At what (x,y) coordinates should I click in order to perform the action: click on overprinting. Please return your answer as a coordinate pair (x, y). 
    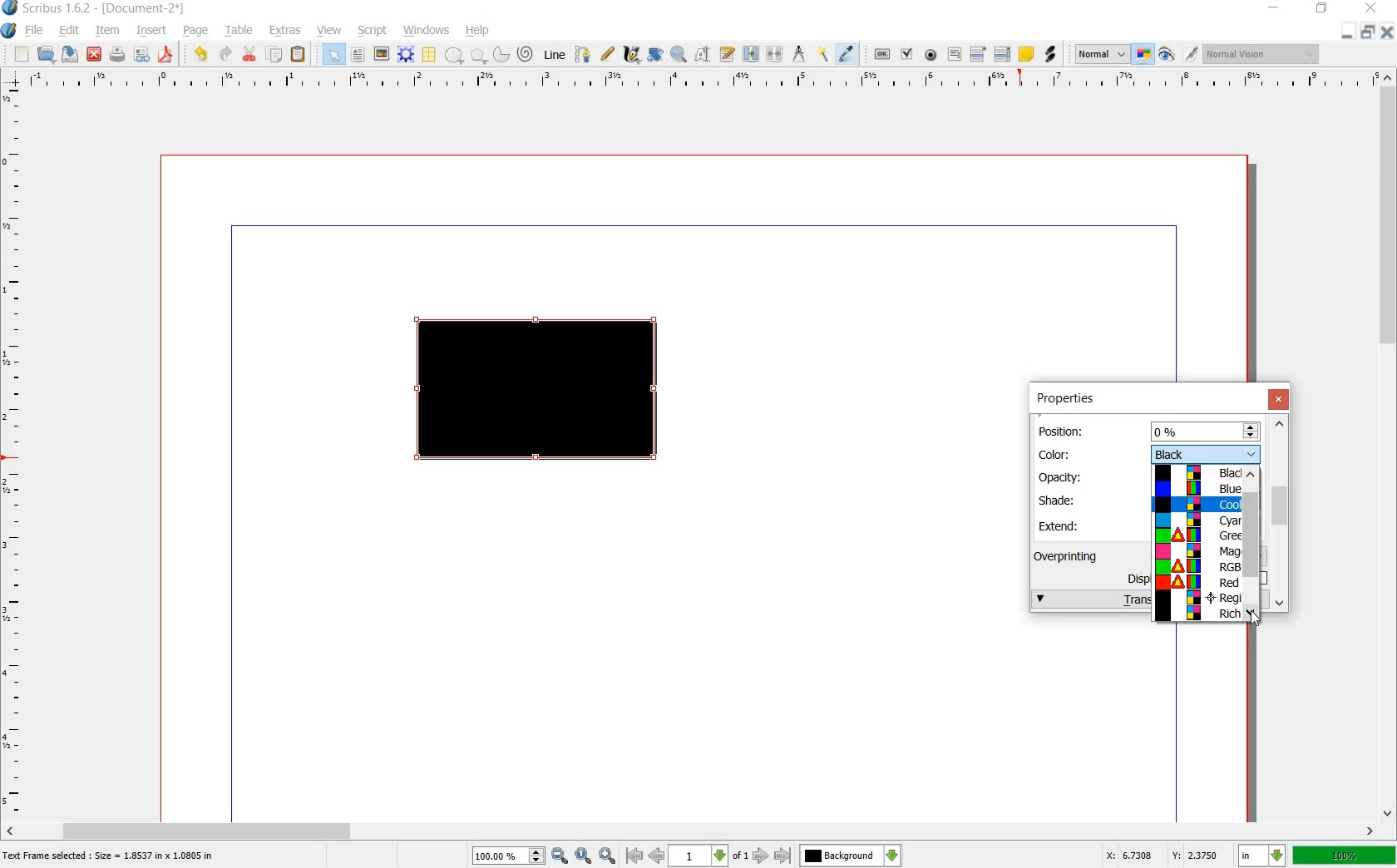
    Looking at the image, I should click on (1074, 555).